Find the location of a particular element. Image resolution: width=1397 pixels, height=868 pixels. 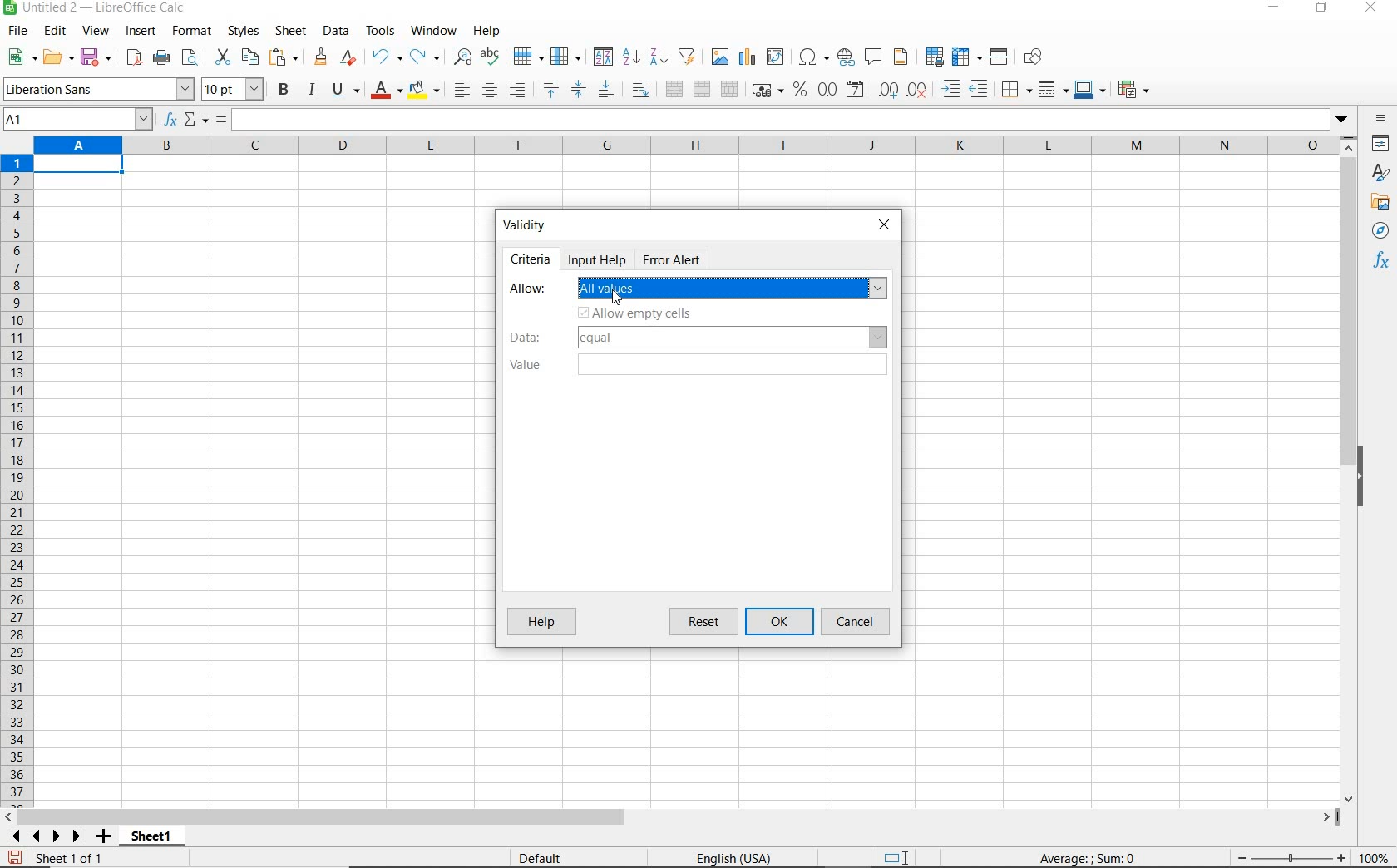

window is located at coordinates (433, 28).